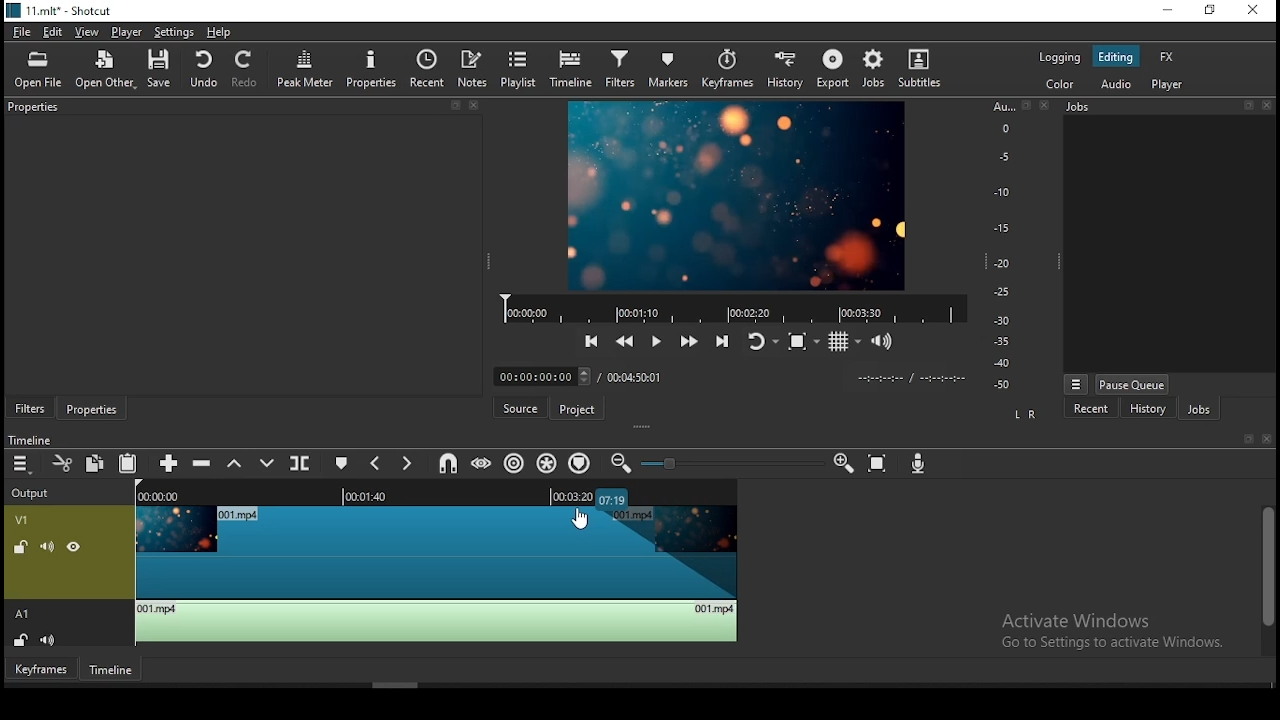 This screenshot has width=1280, height=720. Describe the element at coordinates (1119, 84) in the screenshot. I see `audio` at that location.